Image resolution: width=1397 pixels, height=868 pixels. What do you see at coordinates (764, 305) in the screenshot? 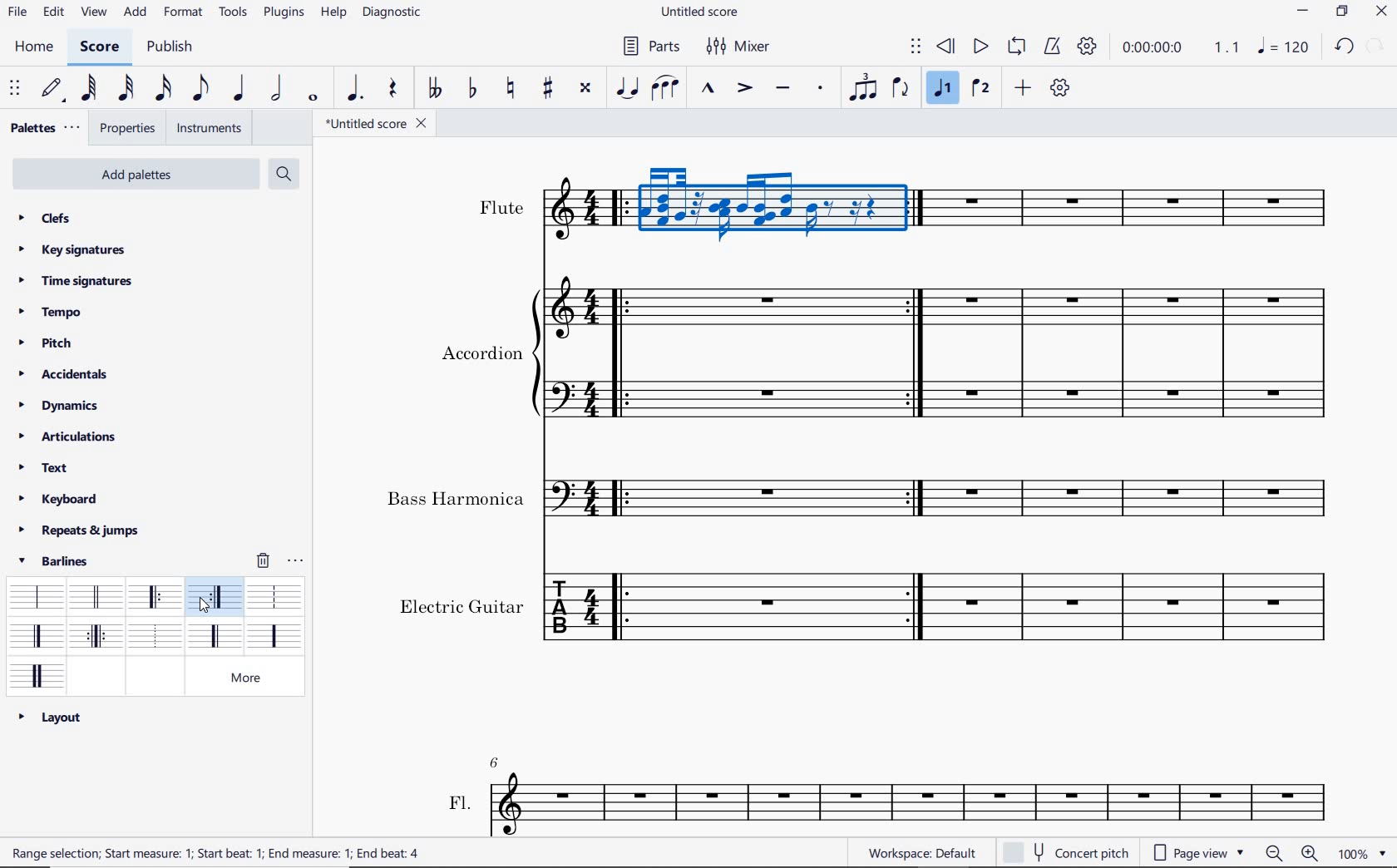
I see `Instrument: Electric guitar` at bounding box center [764, 305].